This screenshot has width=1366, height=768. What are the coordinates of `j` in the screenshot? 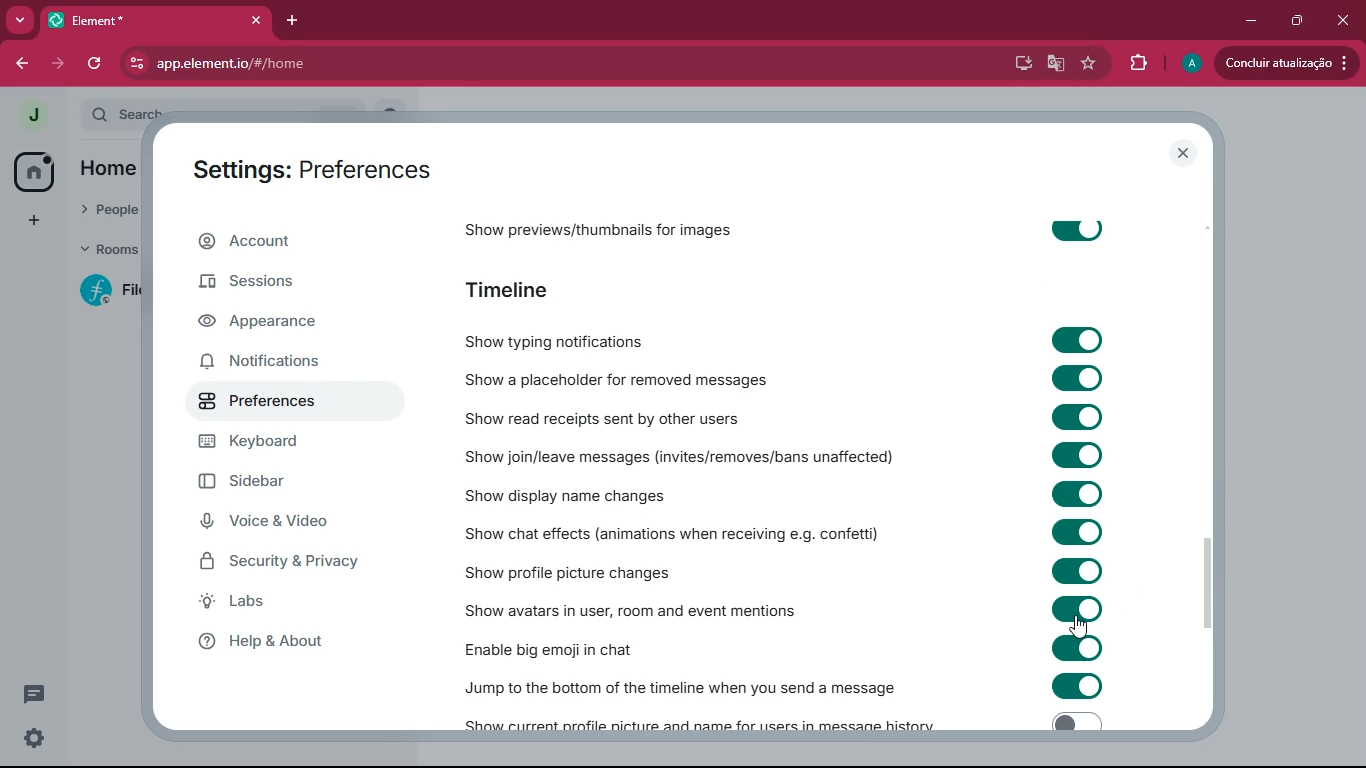 It's located at (32, 116).